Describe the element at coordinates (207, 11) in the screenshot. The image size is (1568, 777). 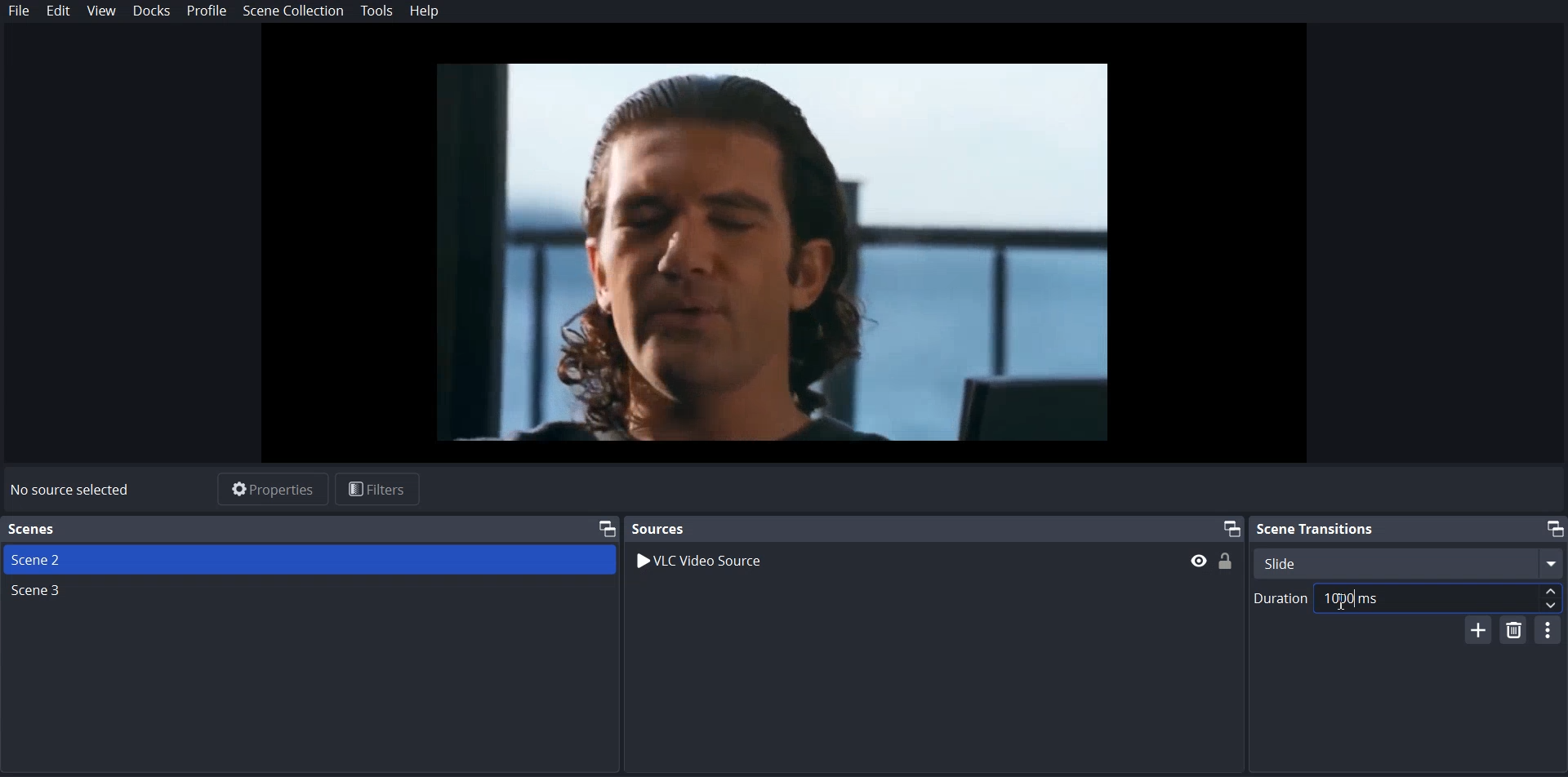
I see `Profile` at that location.